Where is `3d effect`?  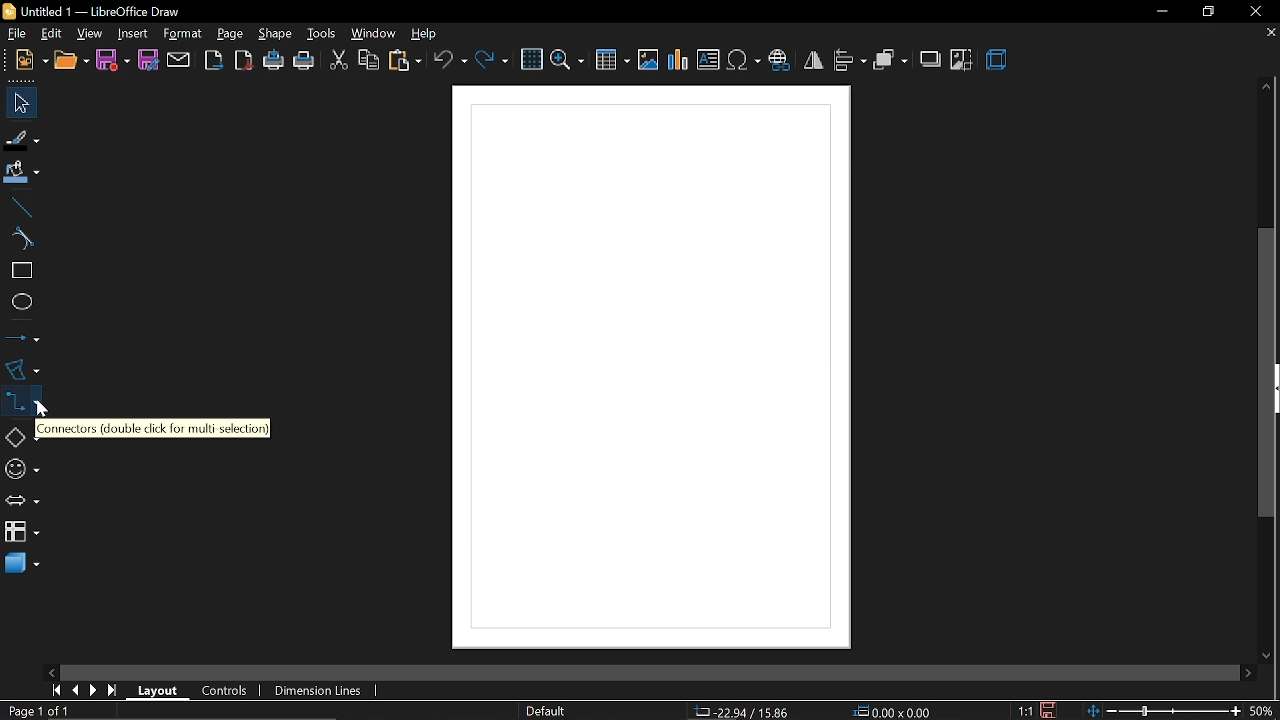
3d effect is located at coordinates (997, 62).